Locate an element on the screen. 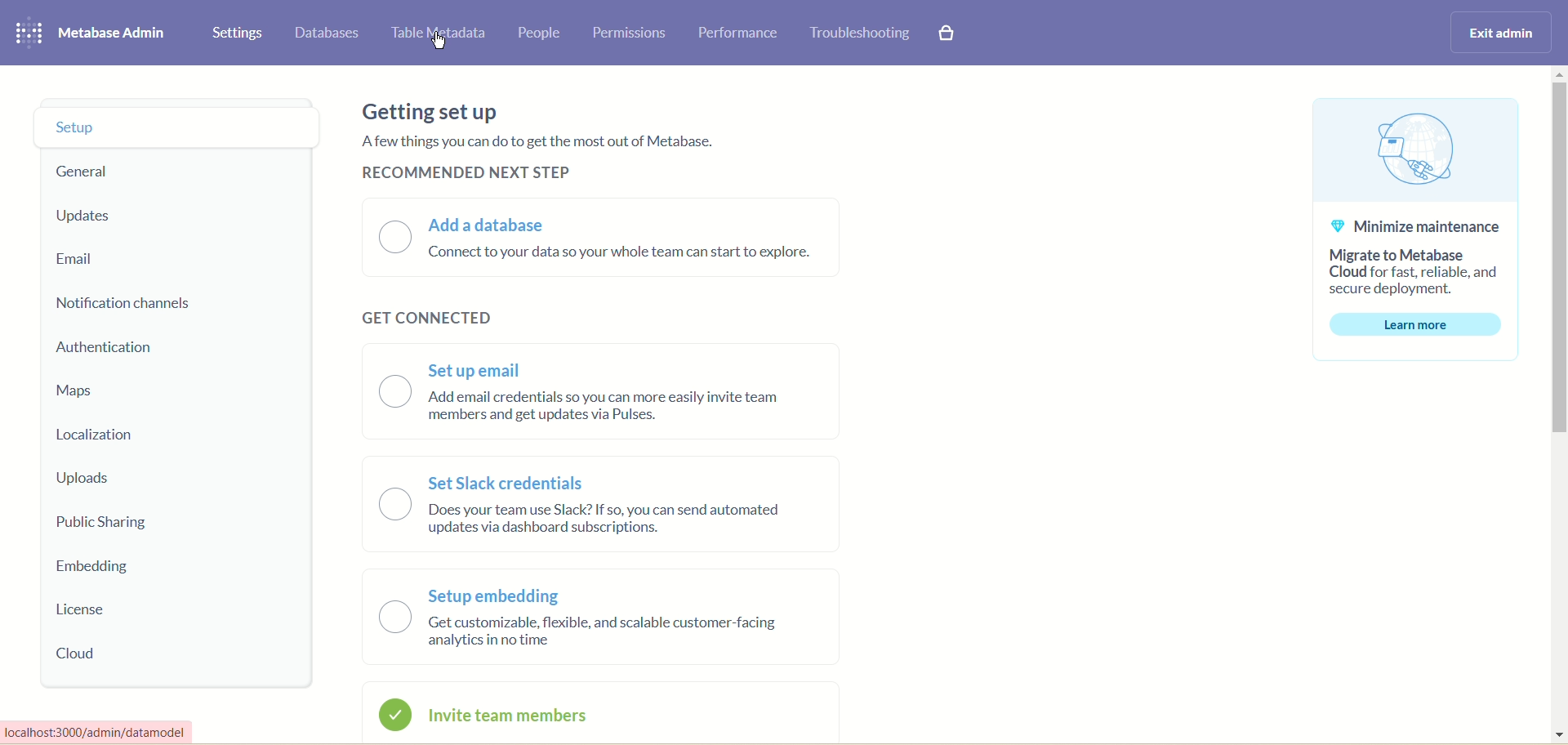 The image size is (1568, 745). uploads is located at coordinates (82, 479).